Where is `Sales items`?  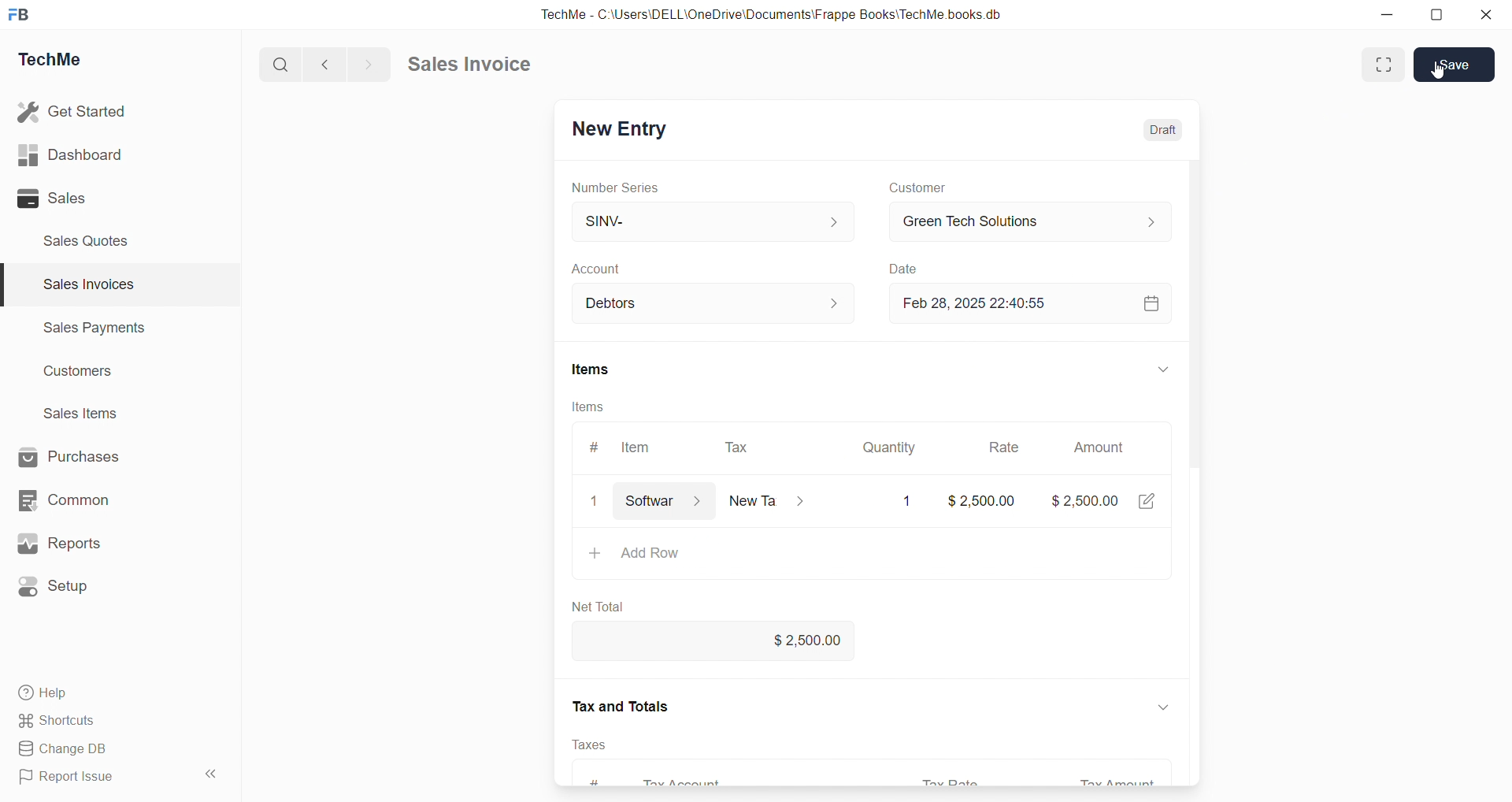
Sales items is located at coordinates (82, 413).